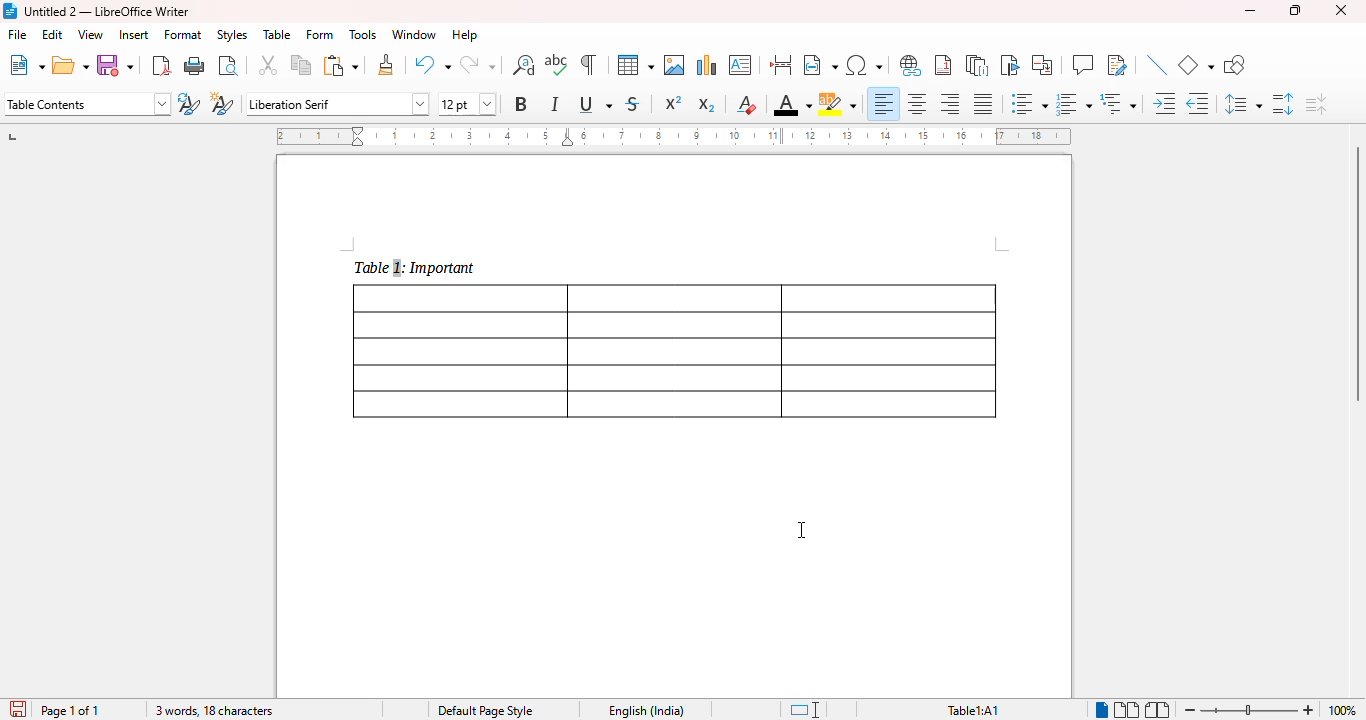 This screenshot has width=1366, height=720. I want to click on copy, so click(302, 64).